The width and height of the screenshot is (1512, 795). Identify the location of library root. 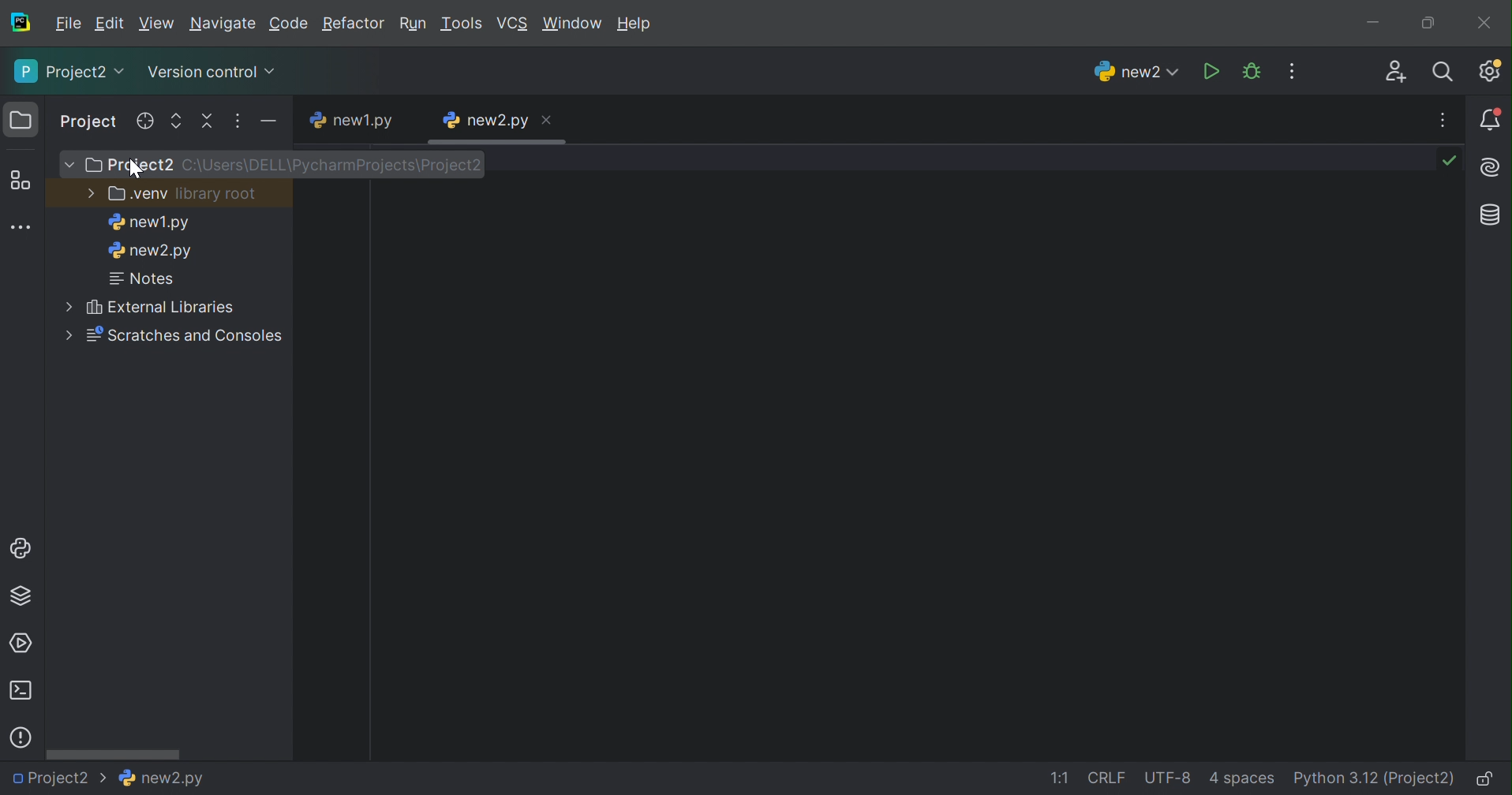
(218, 195).